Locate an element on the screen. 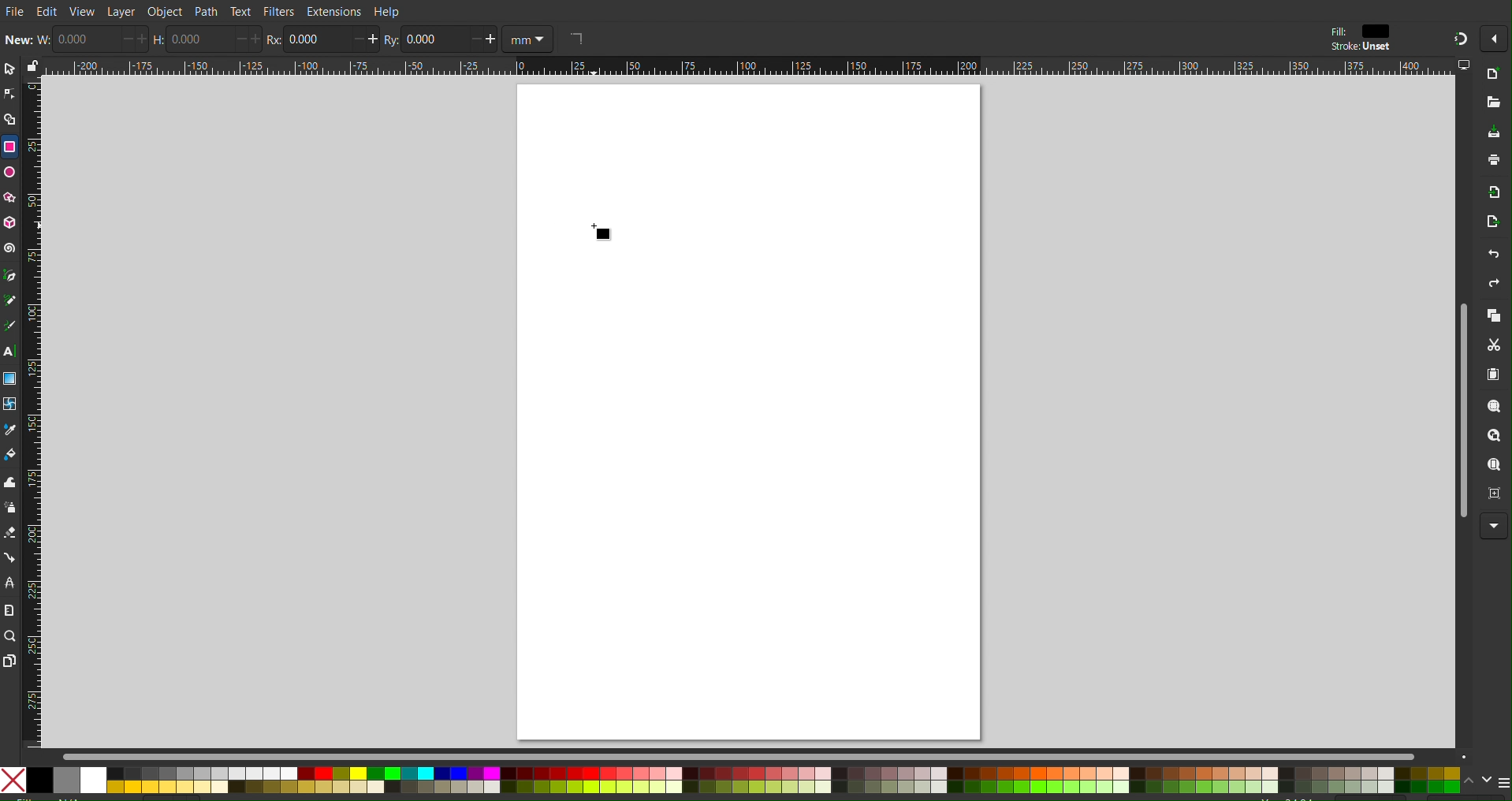  Fill Color is located at coordinates (10, 457).